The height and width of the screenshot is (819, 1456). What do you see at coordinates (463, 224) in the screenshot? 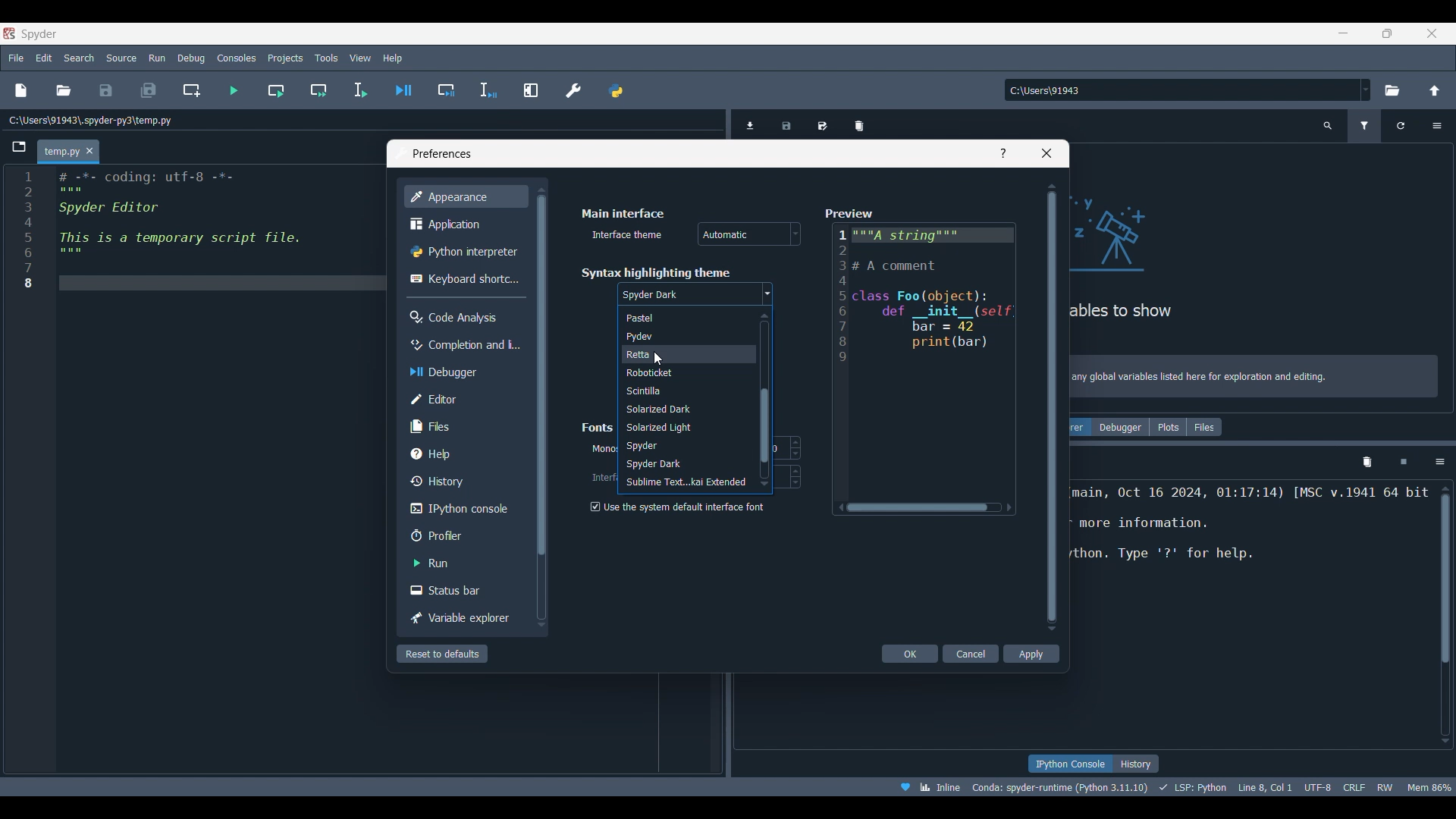
I see `Application` at bounding box center [463, 224].